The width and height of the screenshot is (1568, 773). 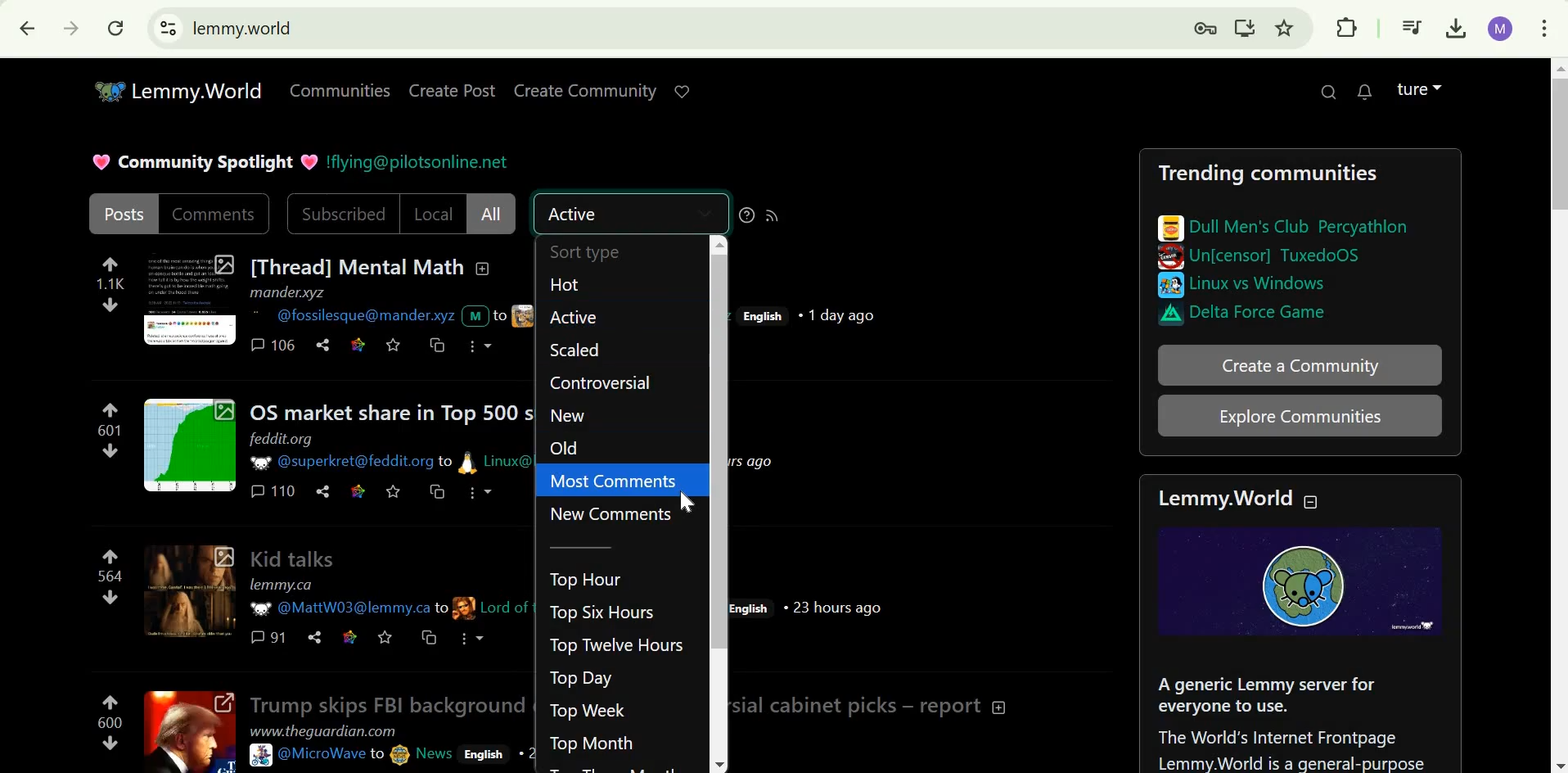 I want to click on Account, so click(x=1500, y=29).